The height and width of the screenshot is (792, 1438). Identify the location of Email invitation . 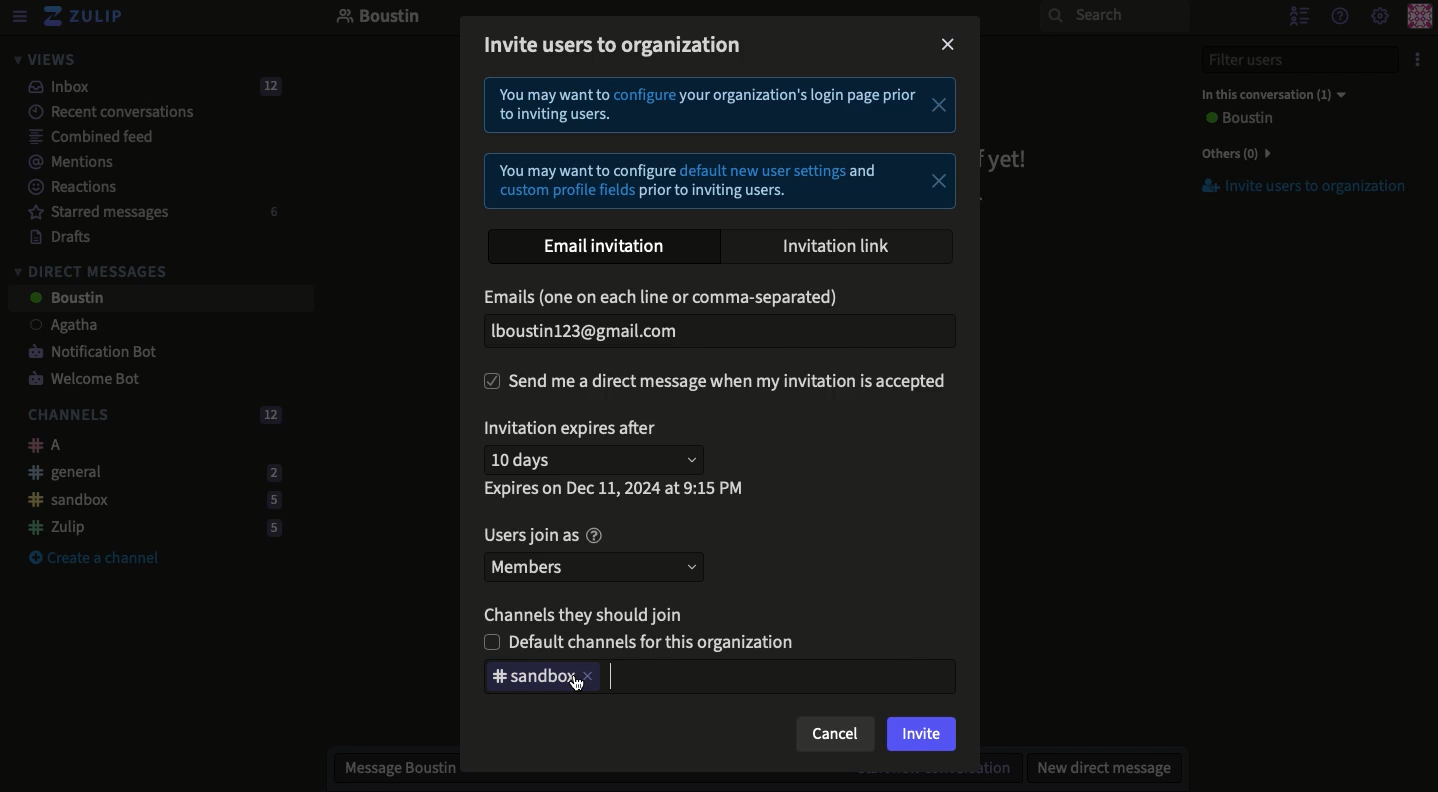
(607, 247).